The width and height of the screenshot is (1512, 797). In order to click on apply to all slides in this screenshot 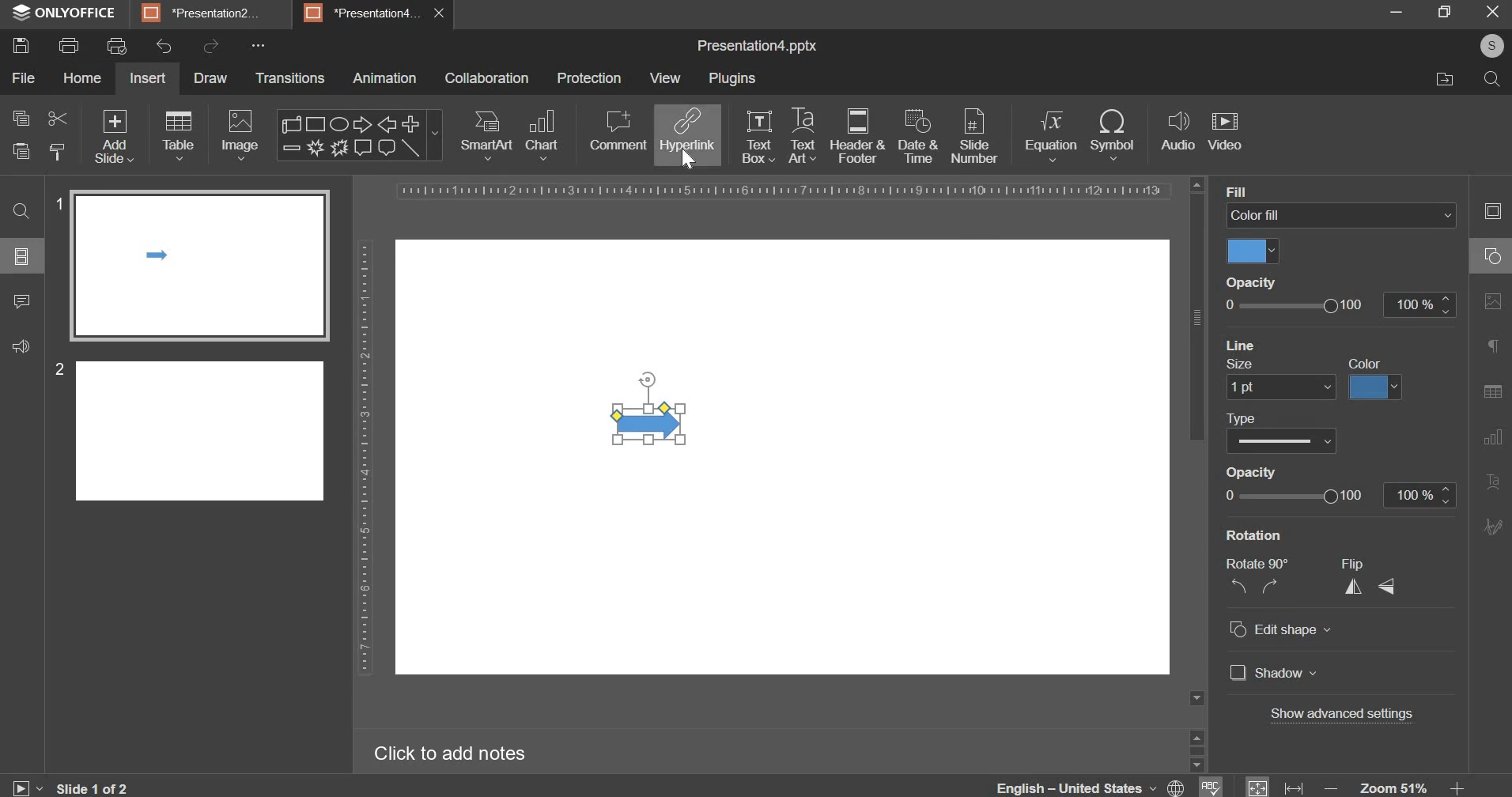, I will do `click(1370, 363)`.